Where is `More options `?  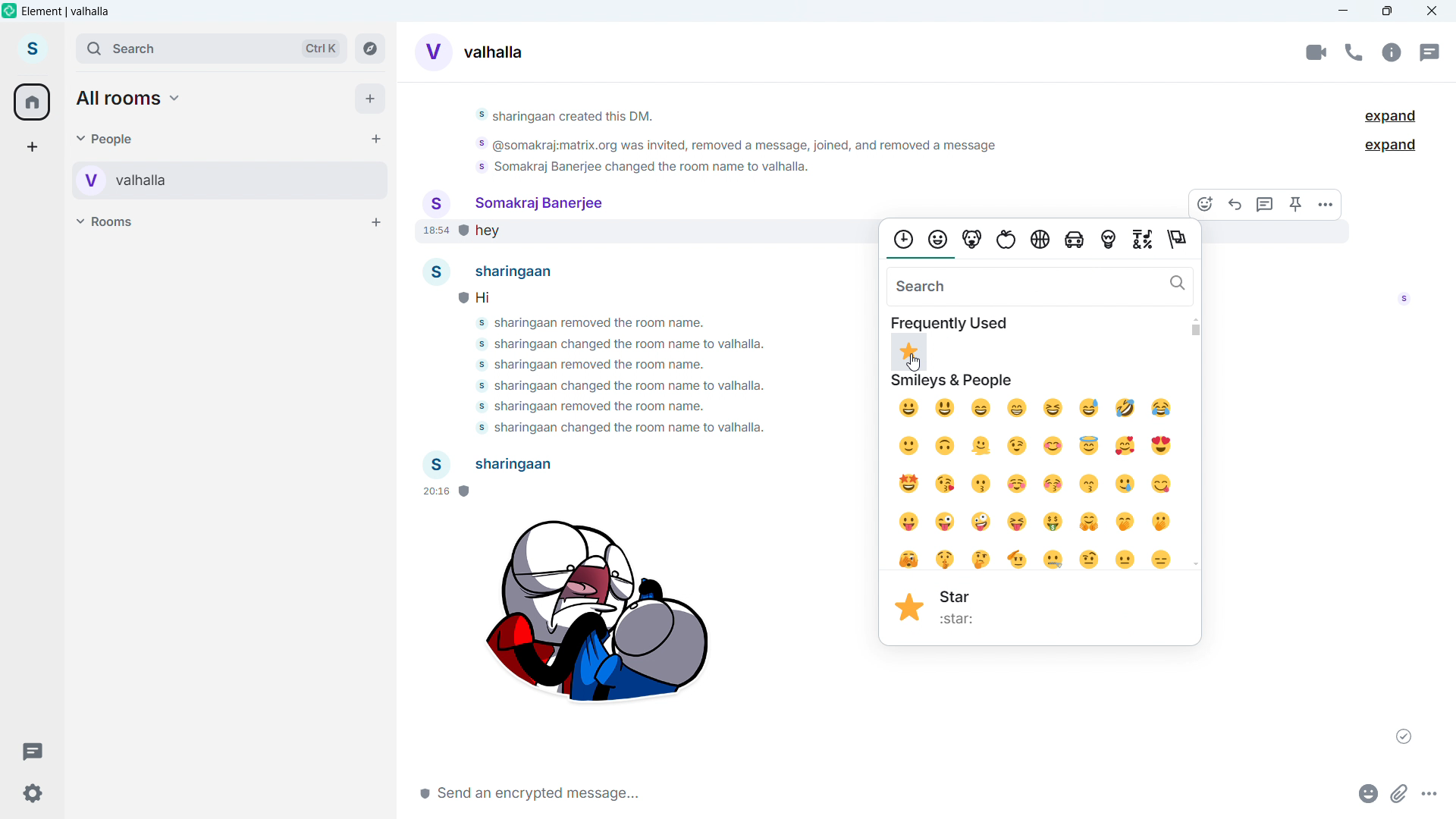 More options  is located at coordinates (1326, 204).